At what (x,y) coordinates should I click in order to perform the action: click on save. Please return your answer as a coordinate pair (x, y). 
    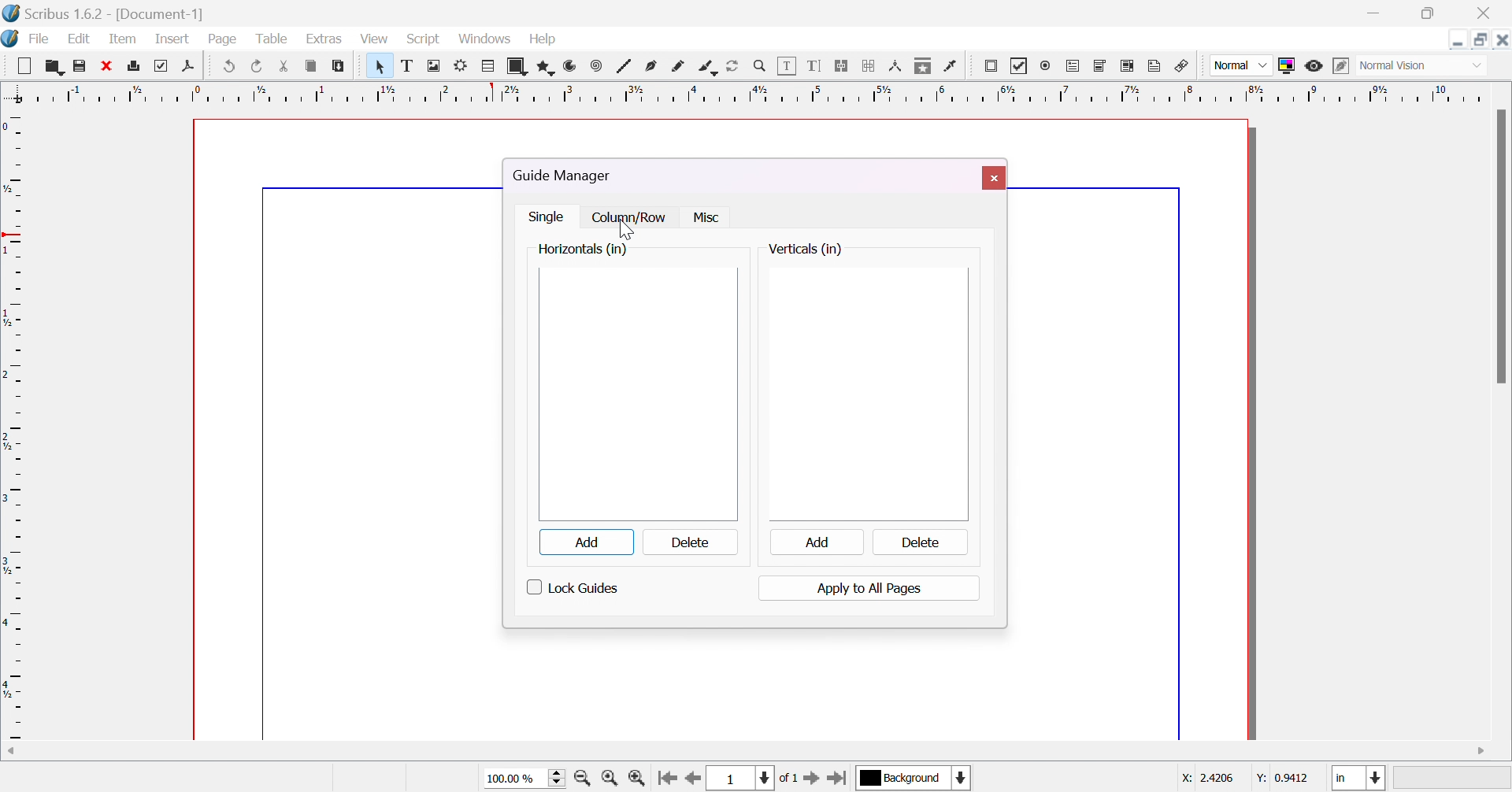
    Looking at the image, I should click on (78, 67).